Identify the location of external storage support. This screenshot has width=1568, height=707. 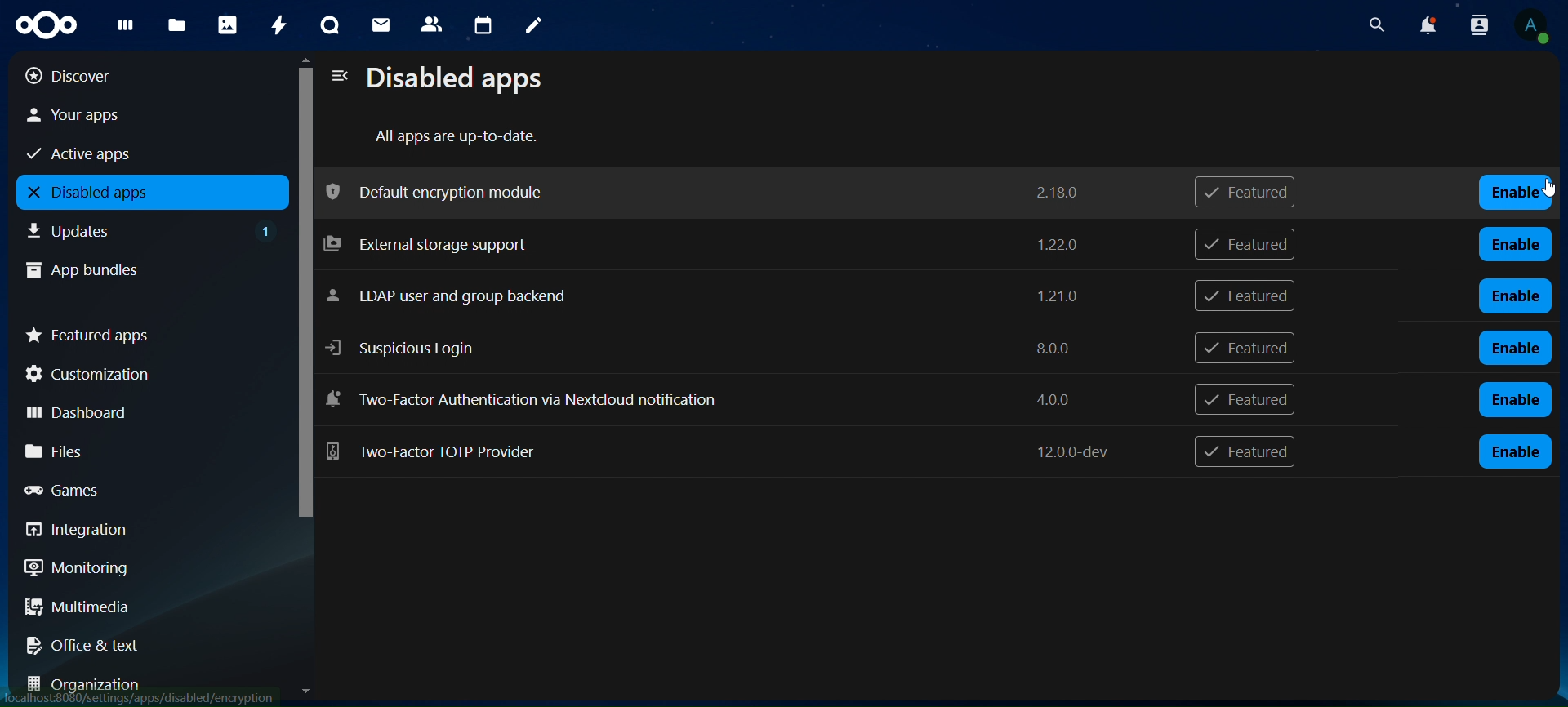
(705, 246).